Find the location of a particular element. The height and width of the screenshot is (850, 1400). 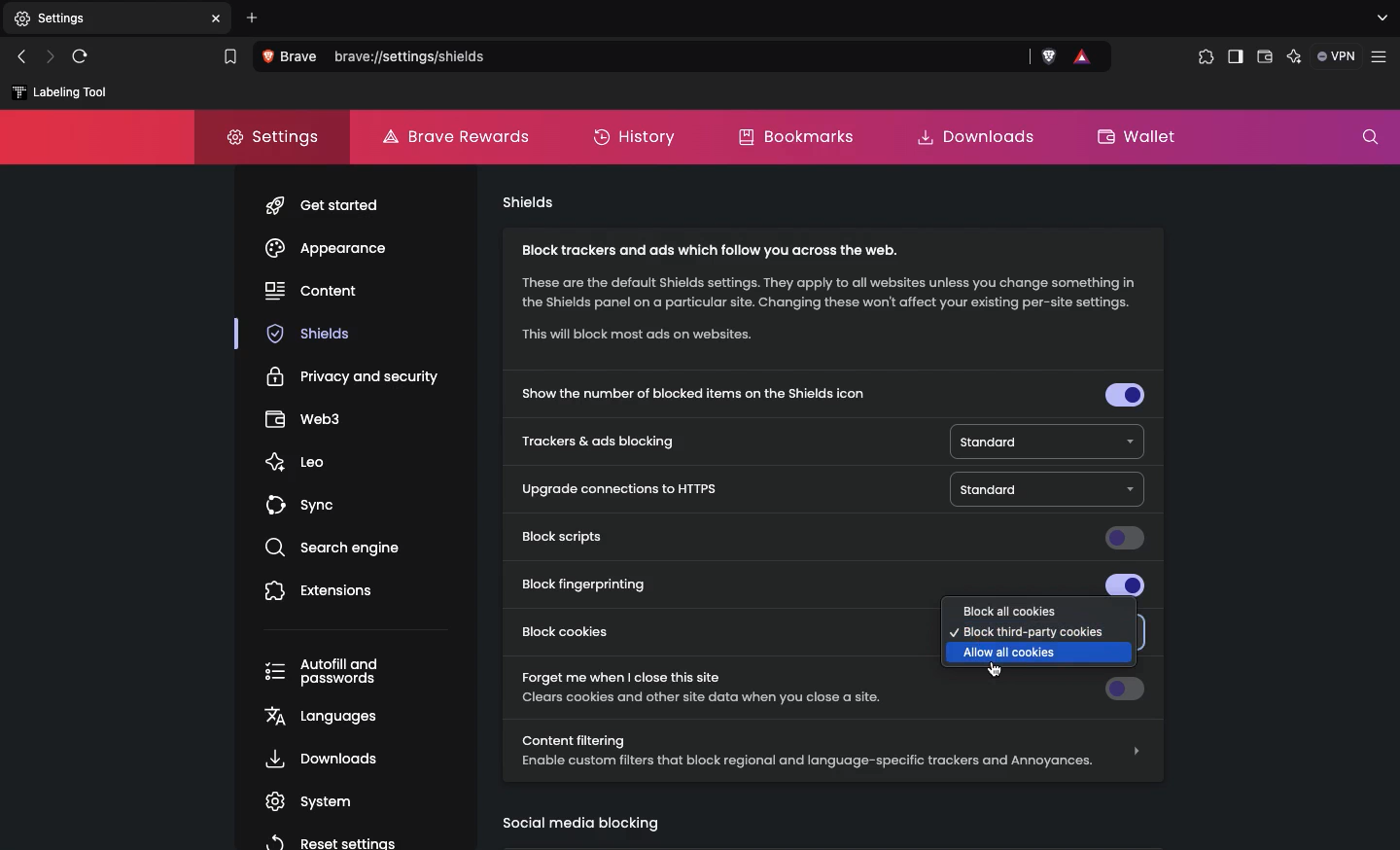

Downloads is located at coordinates (980, 139).